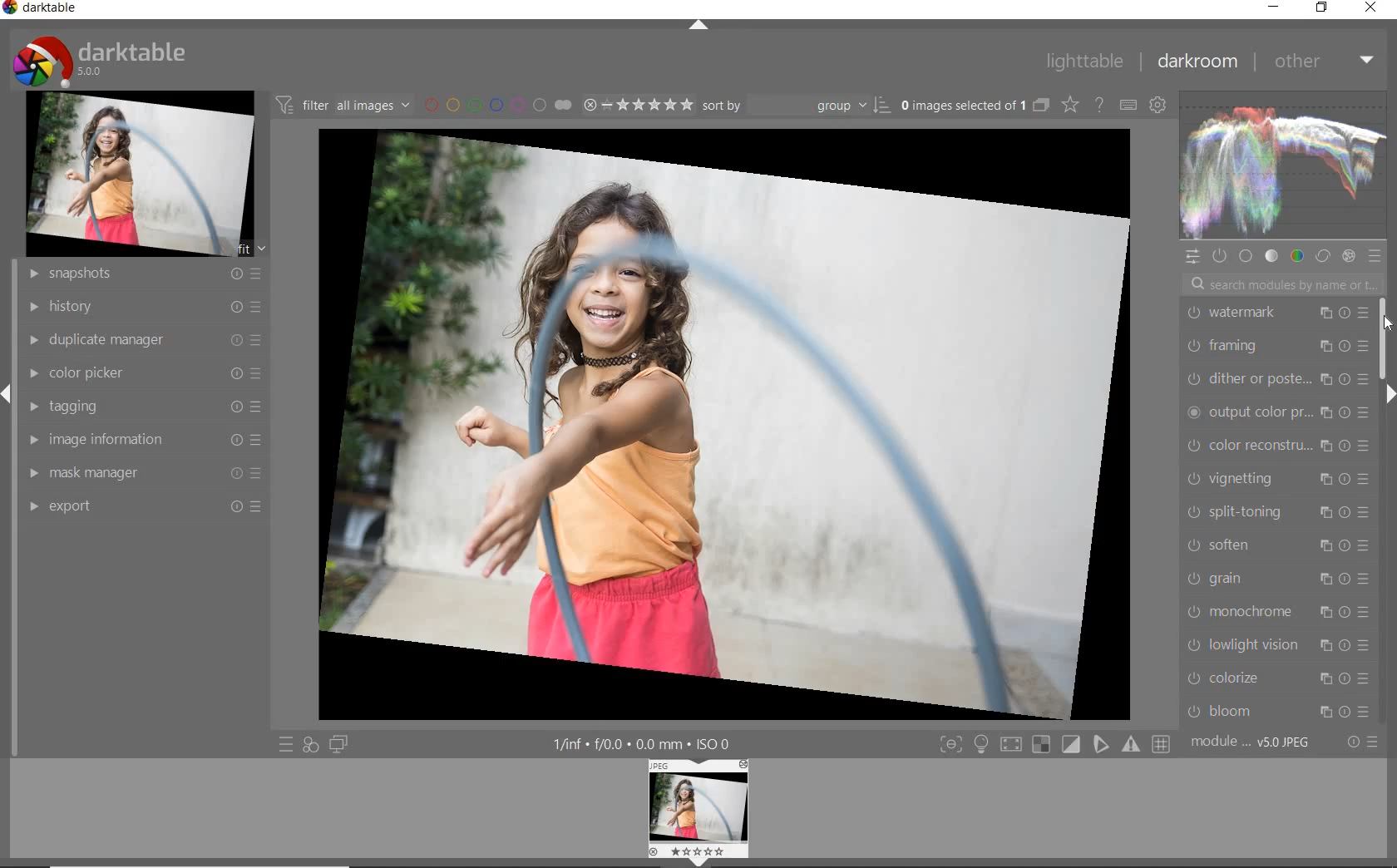 The image size is (1397, 868). I want to click on quick access panel, so click(1190, 259).